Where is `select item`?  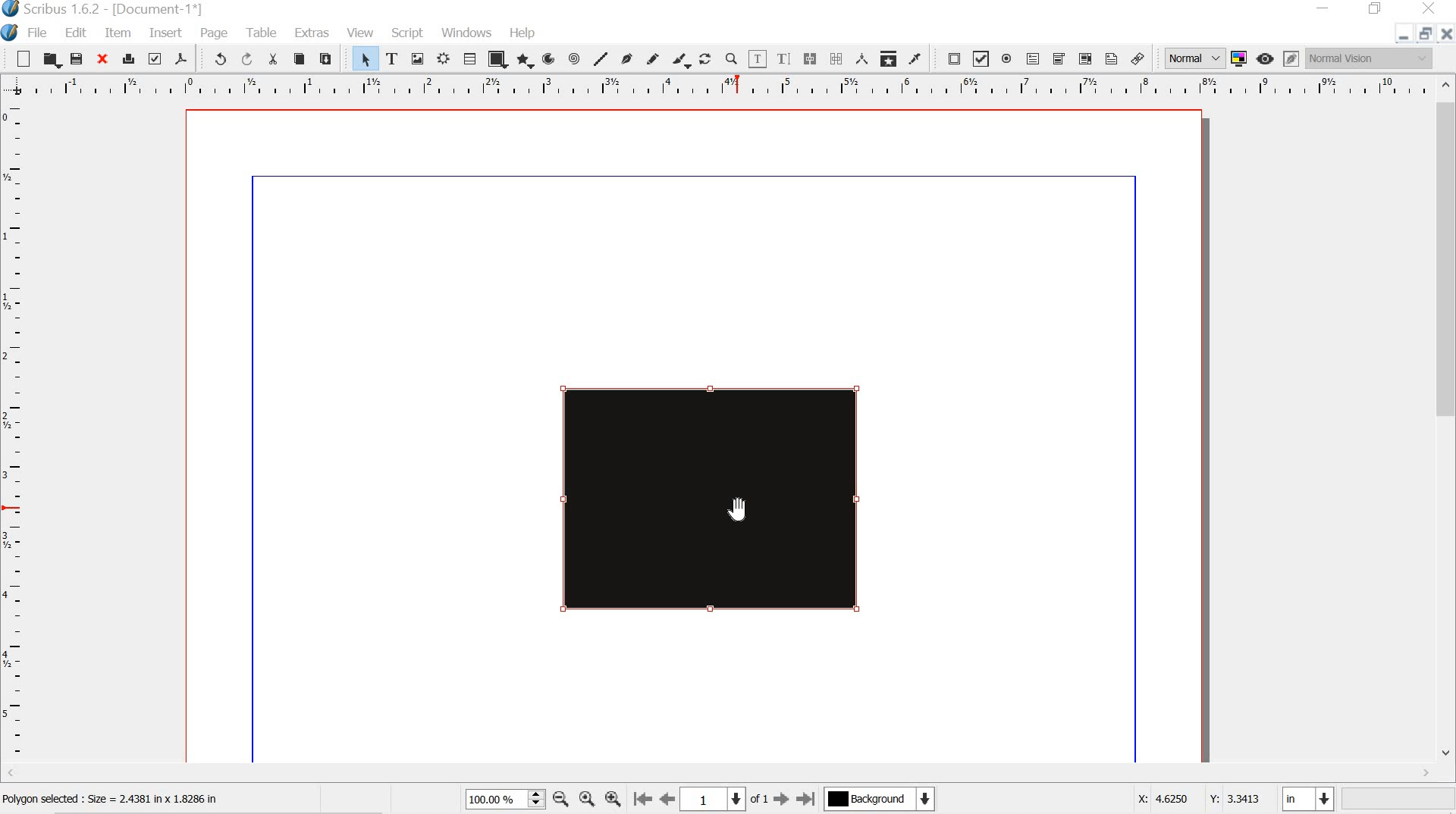
select item is located at coordinates (363, 58).